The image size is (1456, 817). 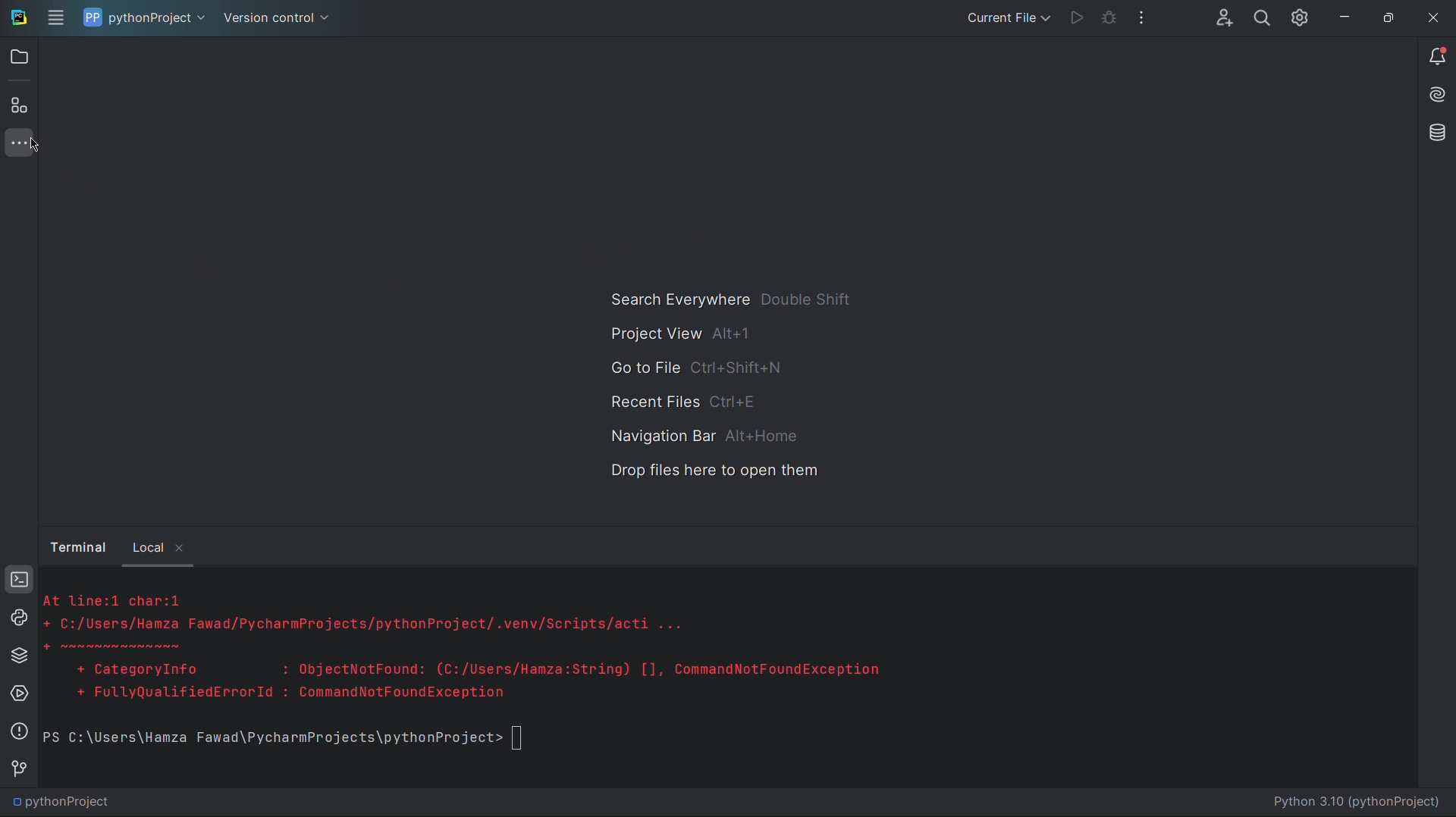 I want to click on Go to File ctrl+shift+n, so click(x=698, y=368).